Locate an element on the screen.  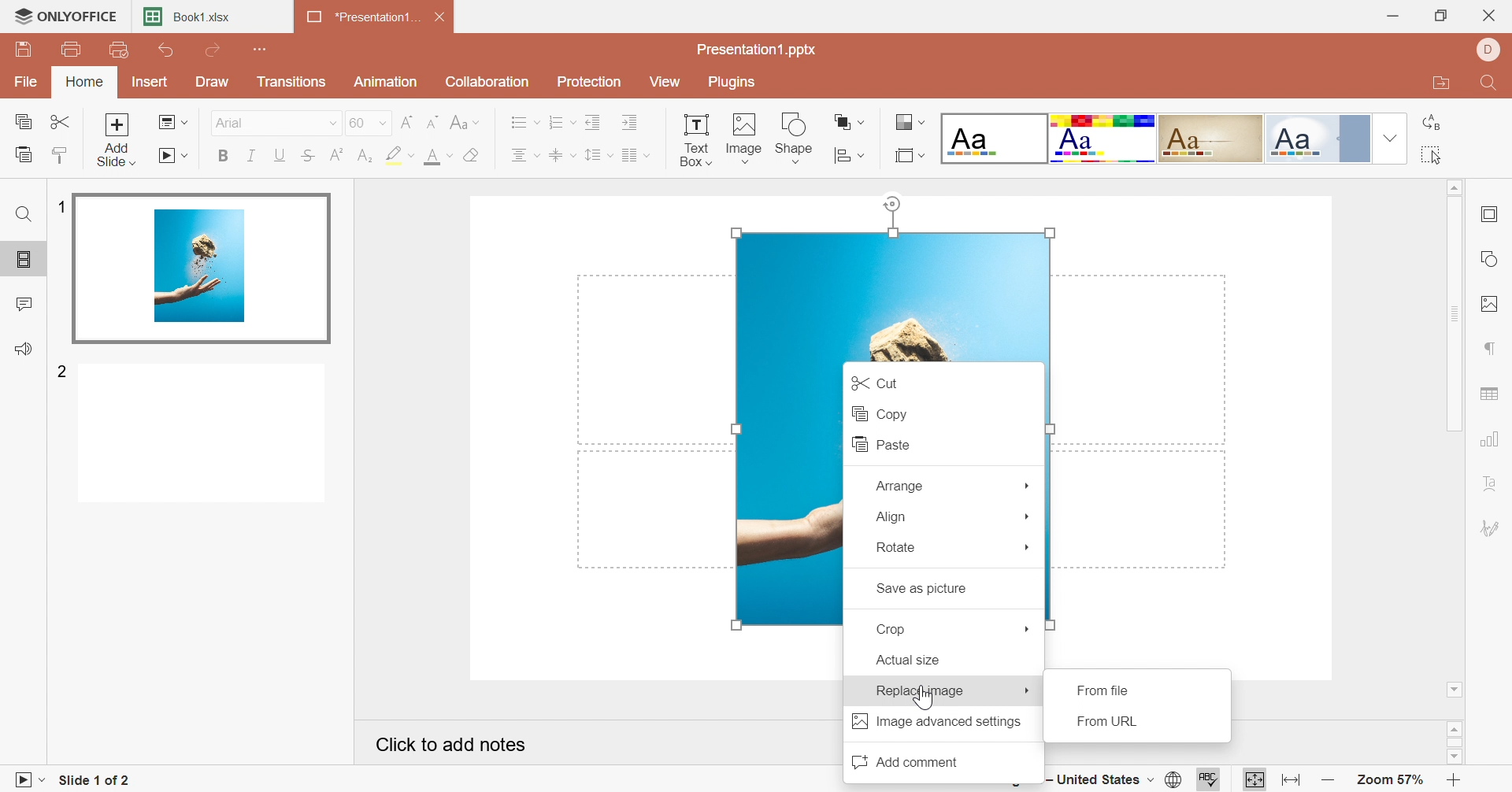
Feedback & Support is located at coordinates (24, 348).